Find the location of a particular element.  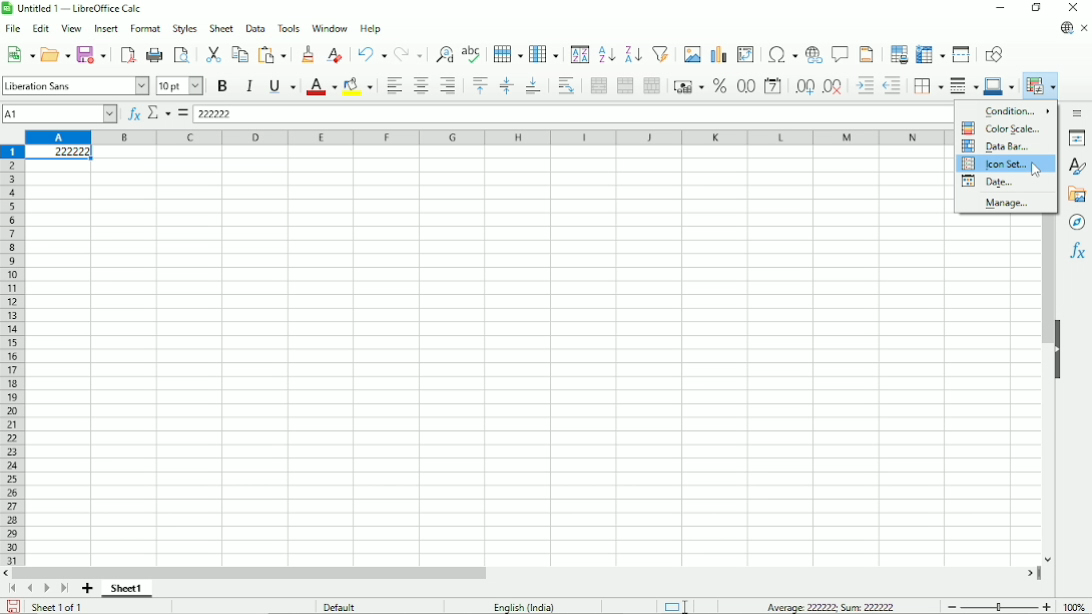

Close document is located at coordinates (1085, 29).